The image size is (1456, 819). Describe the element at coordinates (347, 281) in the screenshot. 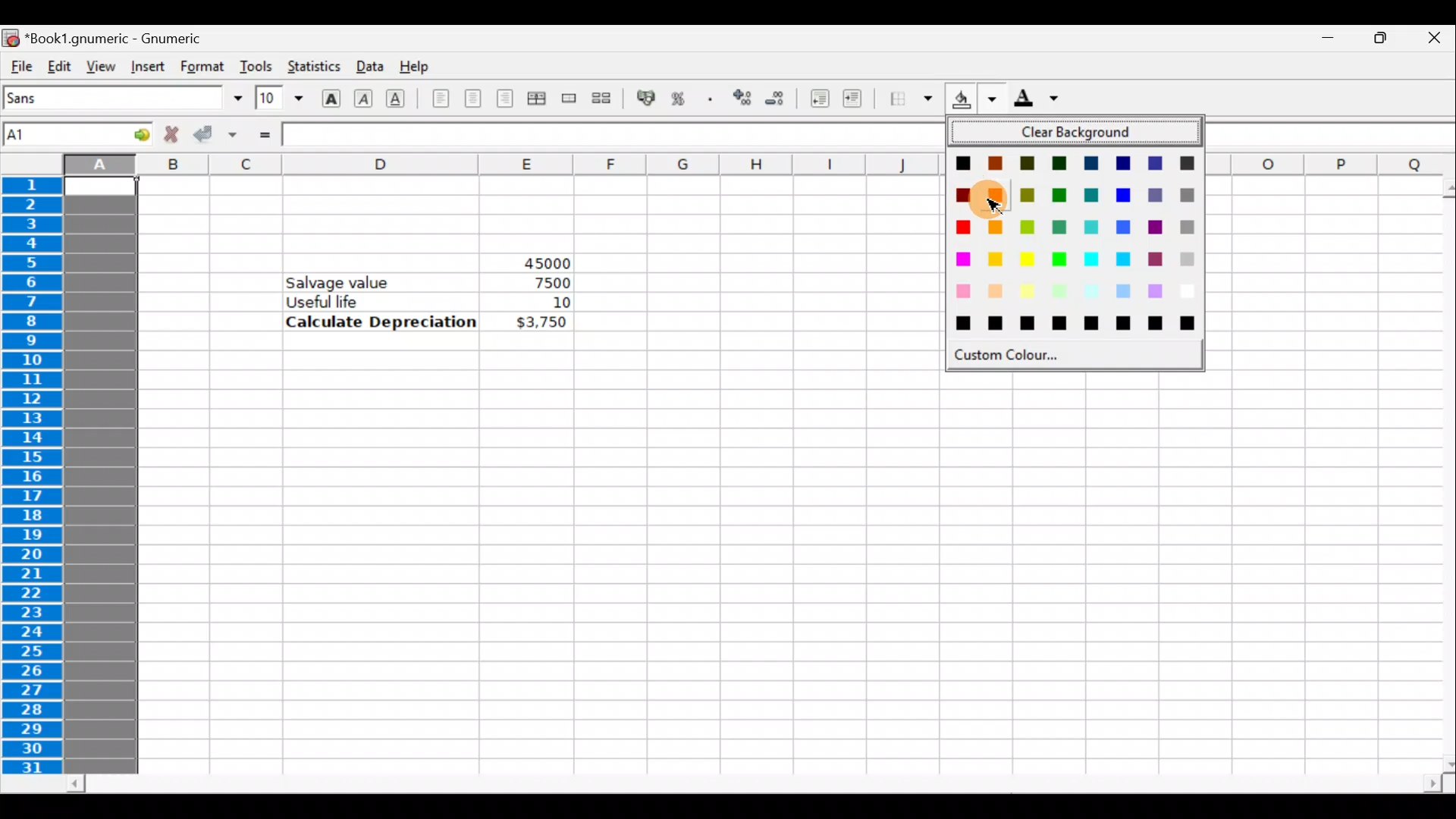

I see `Salvage value` at that location.